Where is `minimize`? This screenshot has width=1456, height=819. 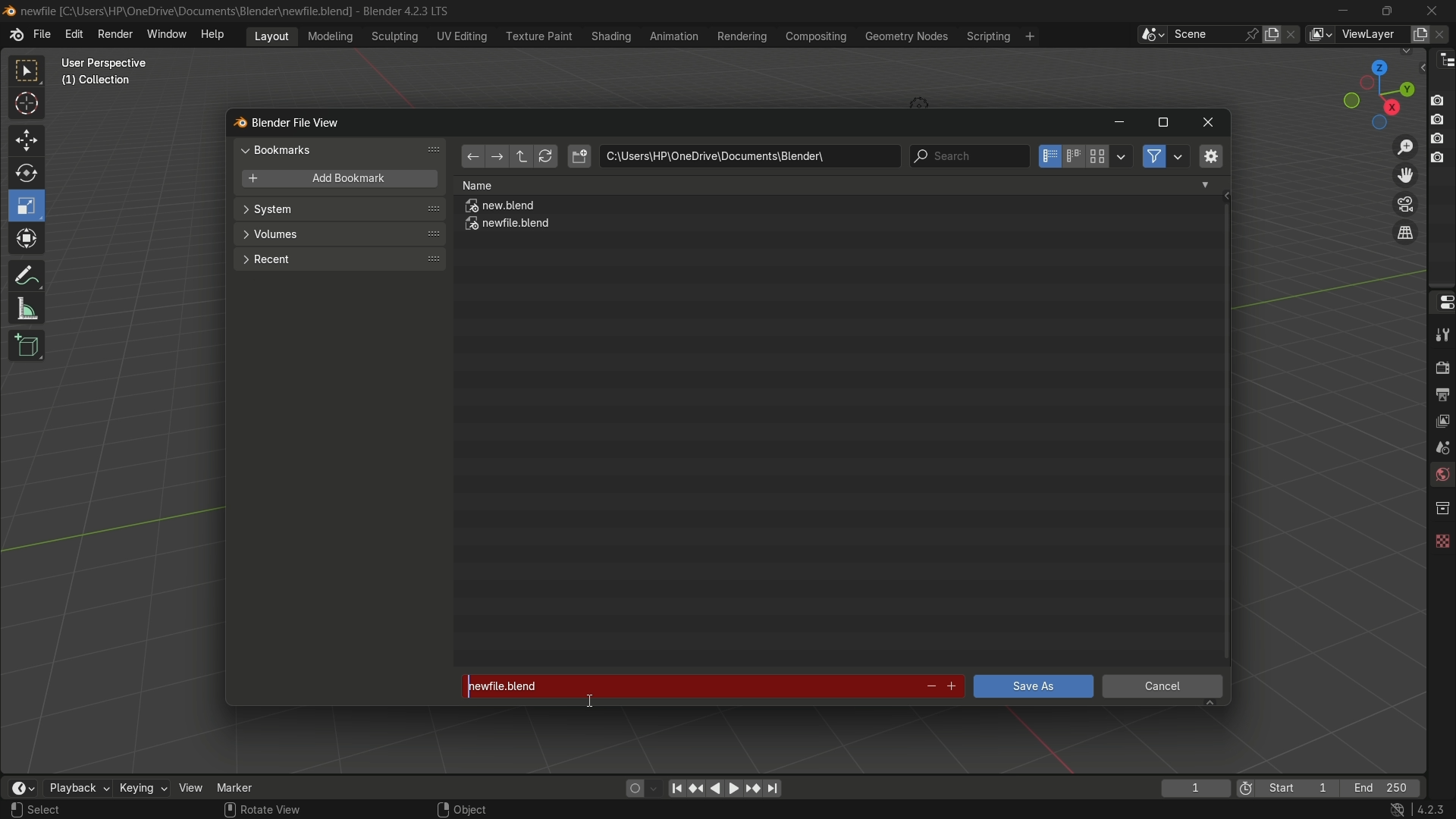 minimize is located at coordinates (1344, 11).